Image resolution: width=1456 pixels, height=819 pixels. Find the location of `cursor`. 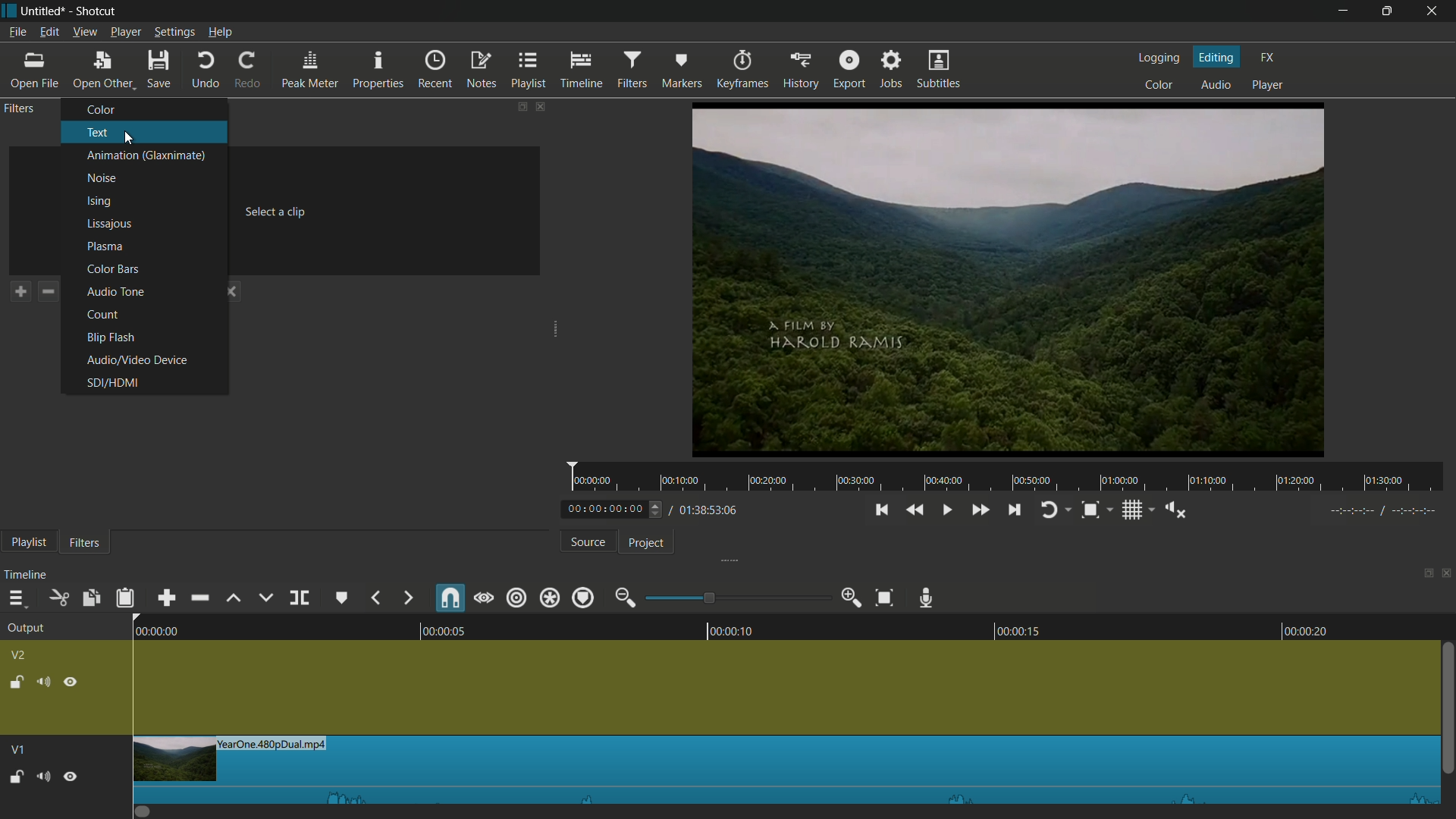

cursor is located at coordinates (128, 138).